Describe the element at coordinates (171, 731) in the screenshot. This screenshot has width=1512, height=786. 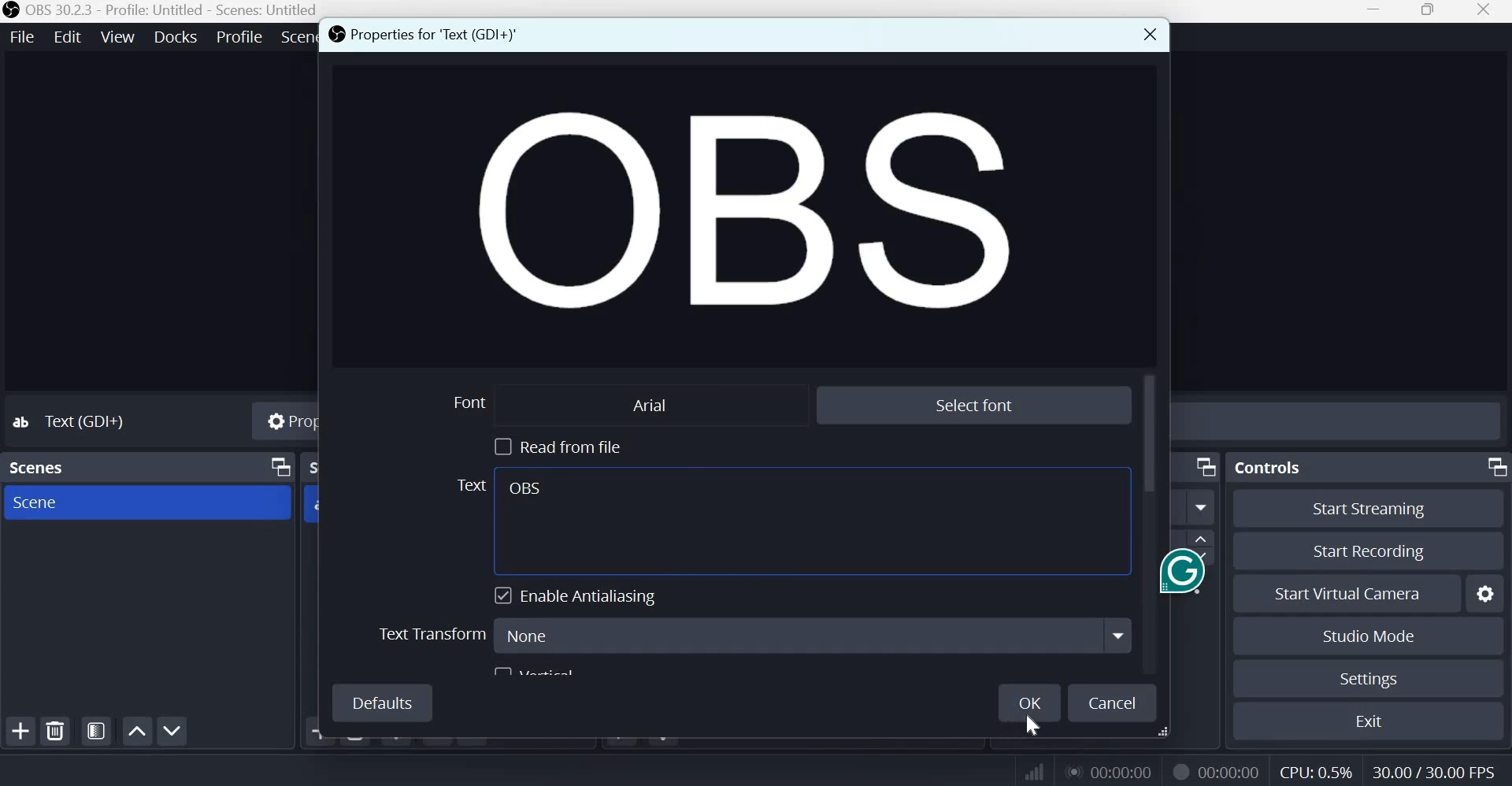
I see `Move scene up` at that location.